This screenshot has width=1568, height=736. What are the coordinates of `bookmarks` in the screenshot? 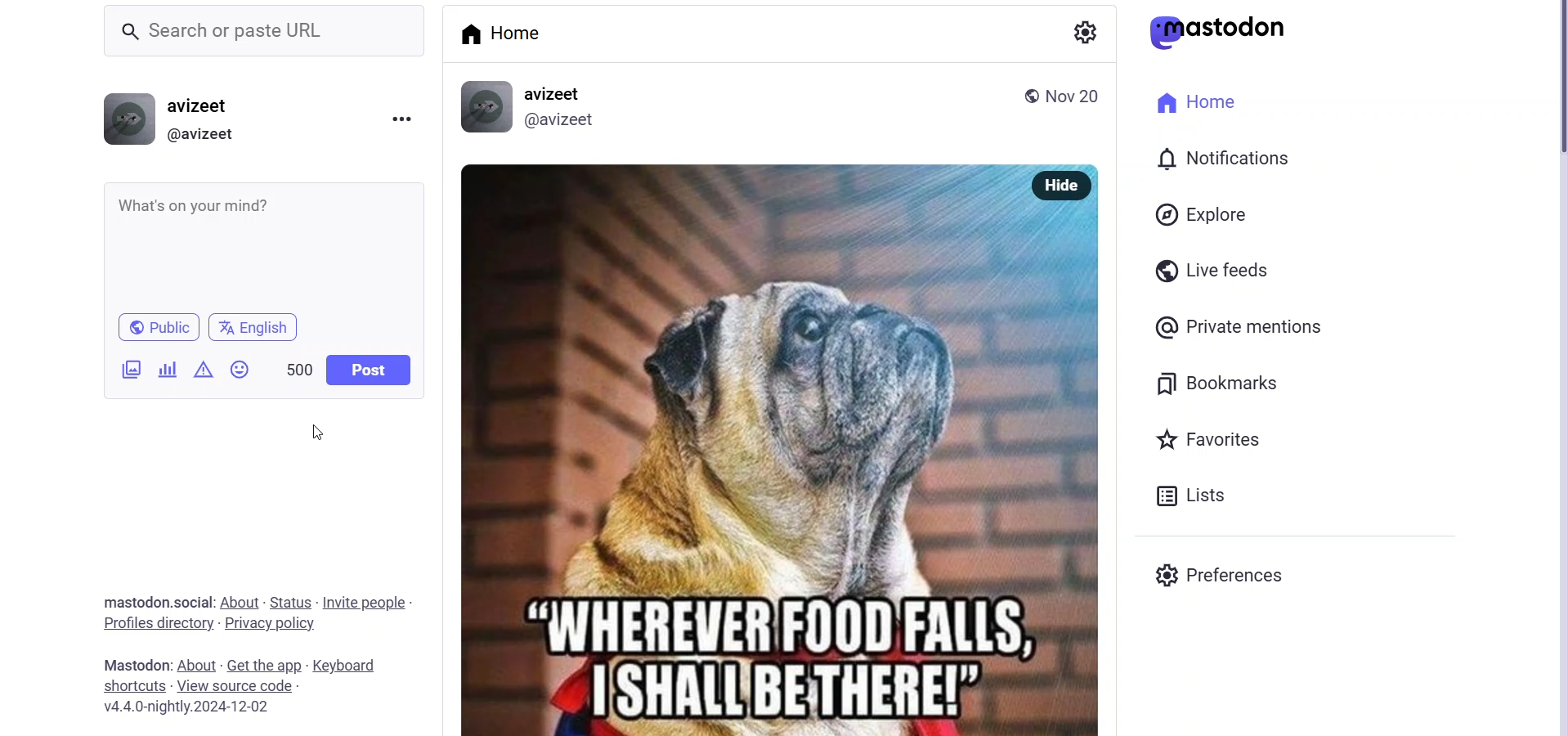 It's located at (1221, 384).